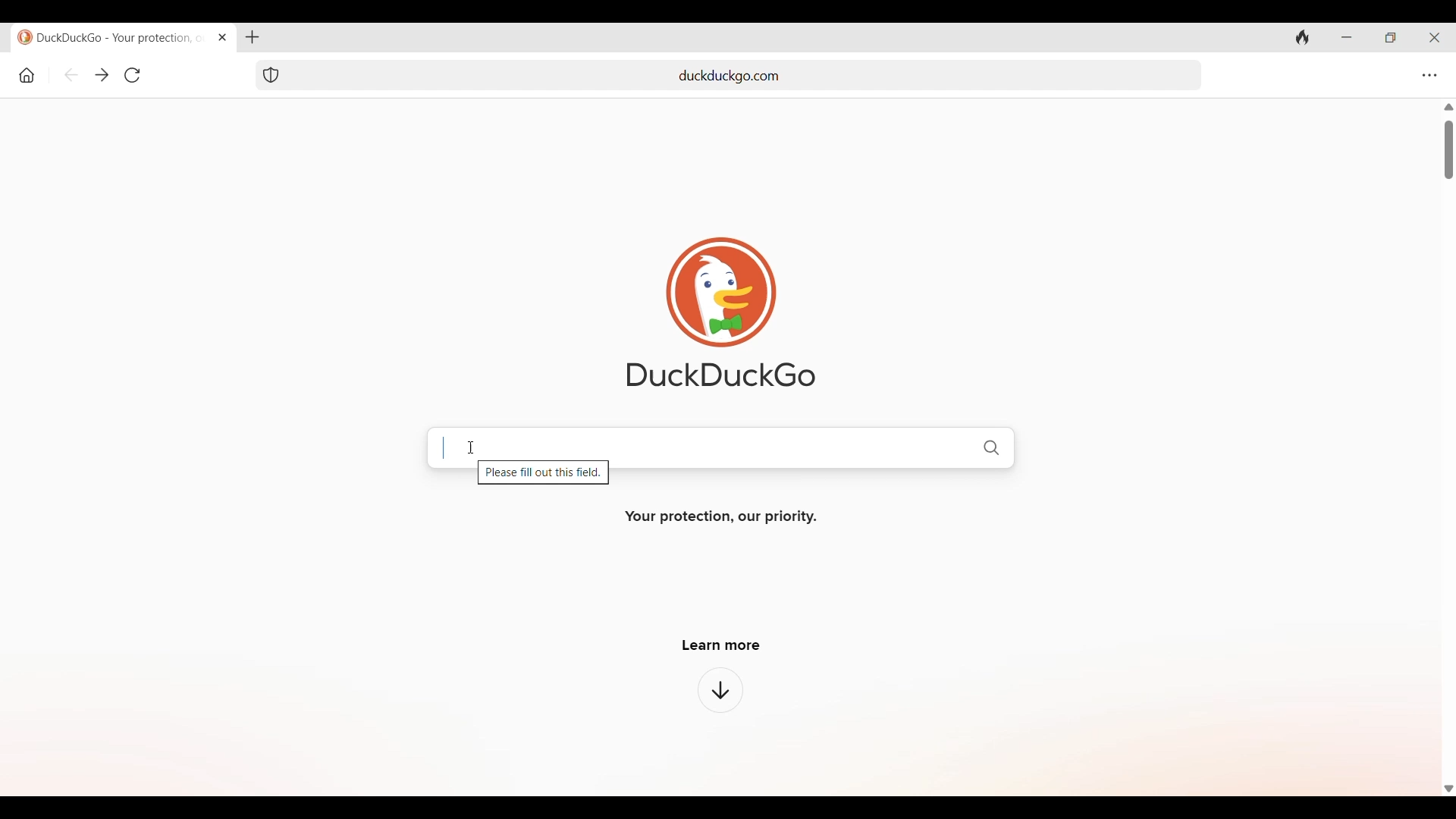  Describe the element at coordinates (252, 37) in the screenshot. I see `Add new tab` at that location.